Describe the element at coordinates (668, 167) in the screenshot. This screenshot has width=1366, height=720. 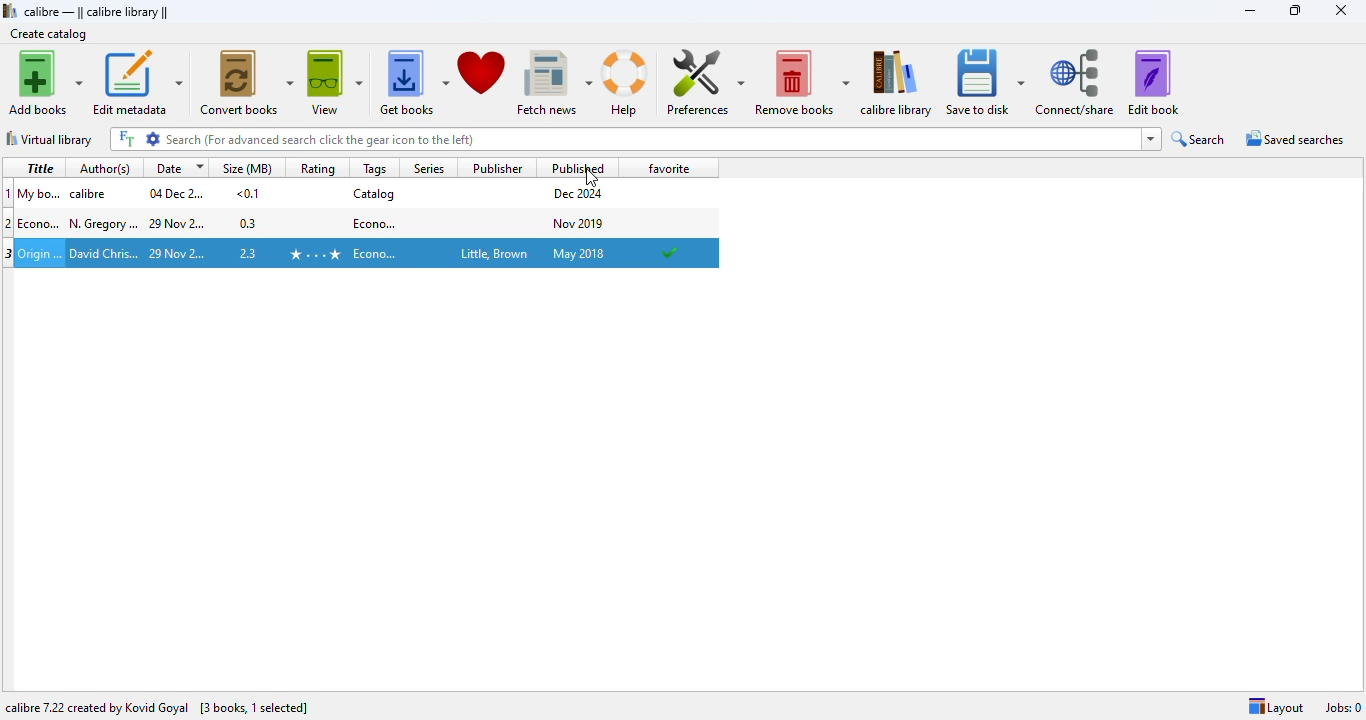
I see `favorite` at that location.